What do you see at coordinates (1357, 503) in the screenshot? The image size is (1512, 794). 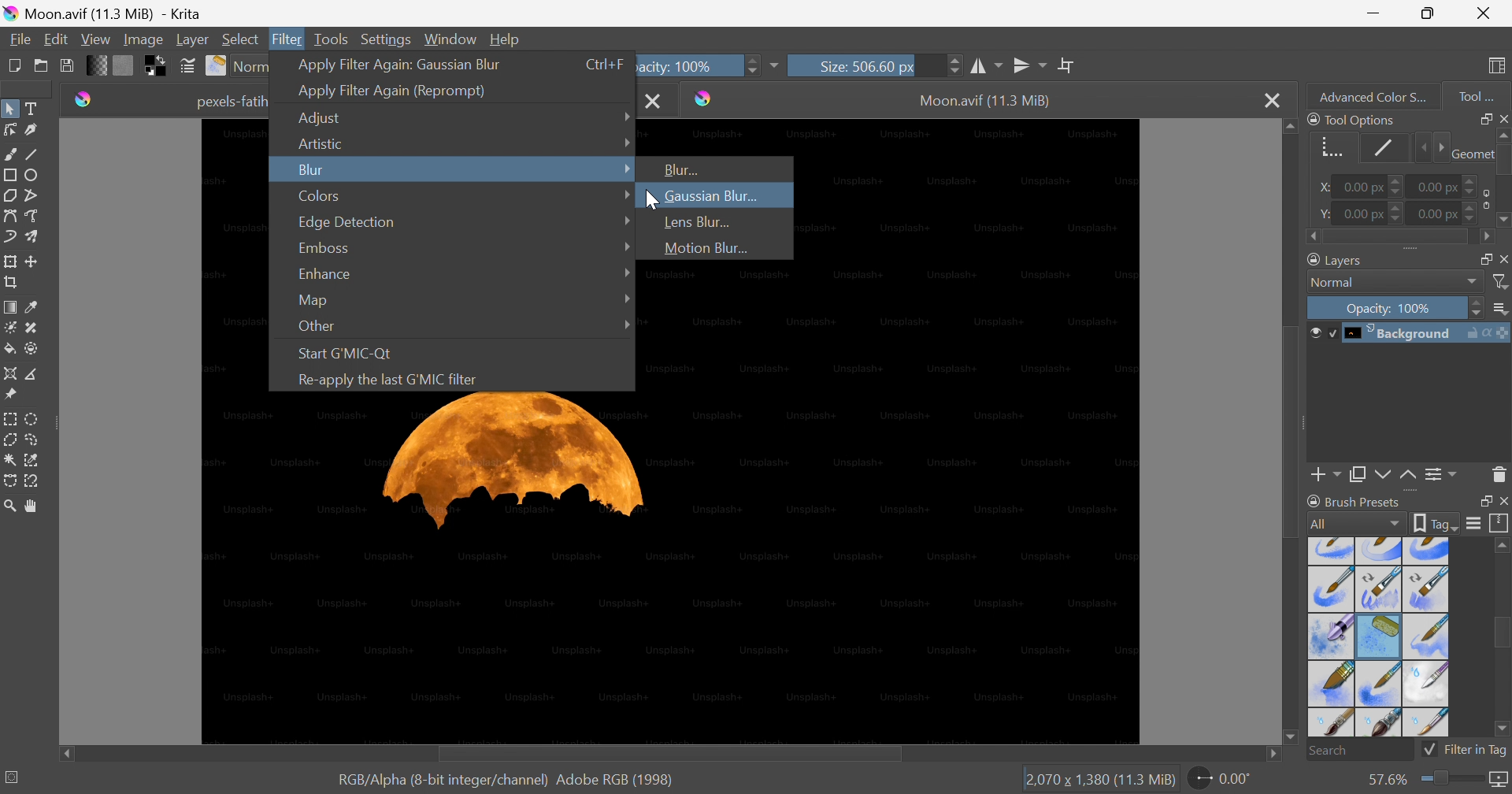 I see `Brush presets` at bounding box center [1357, 503].